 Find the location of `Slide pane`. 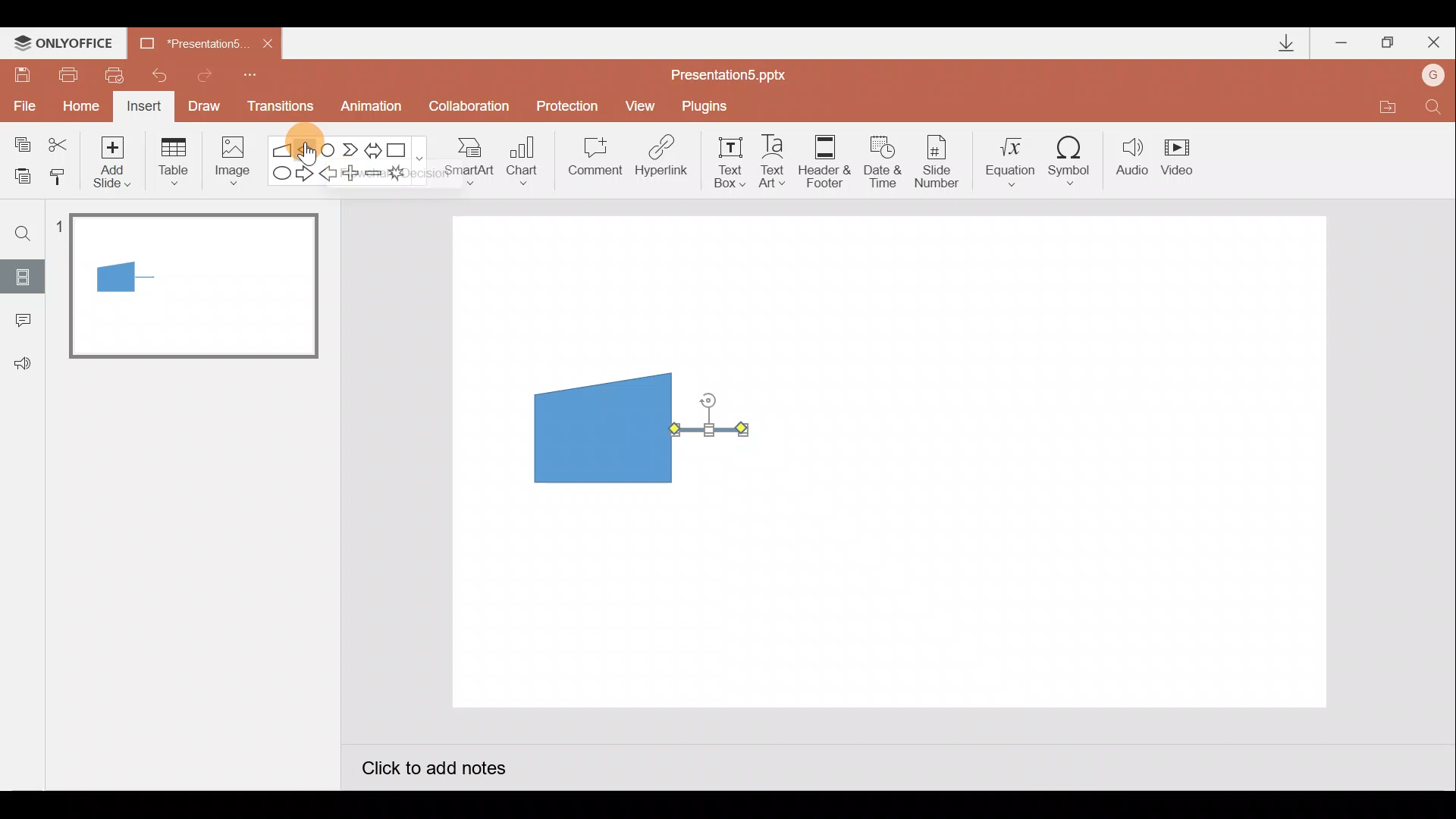

Slide pane is located at coordinates (196, 439).